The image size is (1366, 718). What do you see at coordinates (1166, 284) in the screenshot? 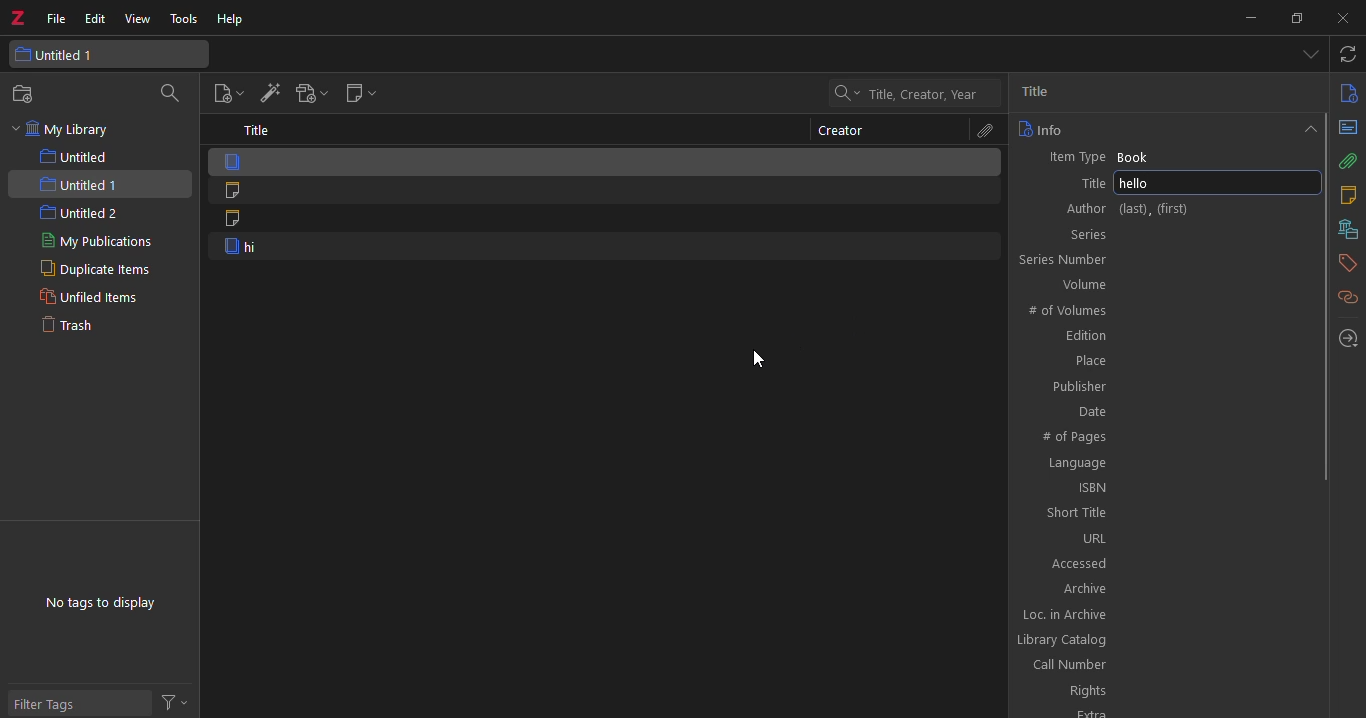
I see `Volume` at bounding box center [1166, 284].